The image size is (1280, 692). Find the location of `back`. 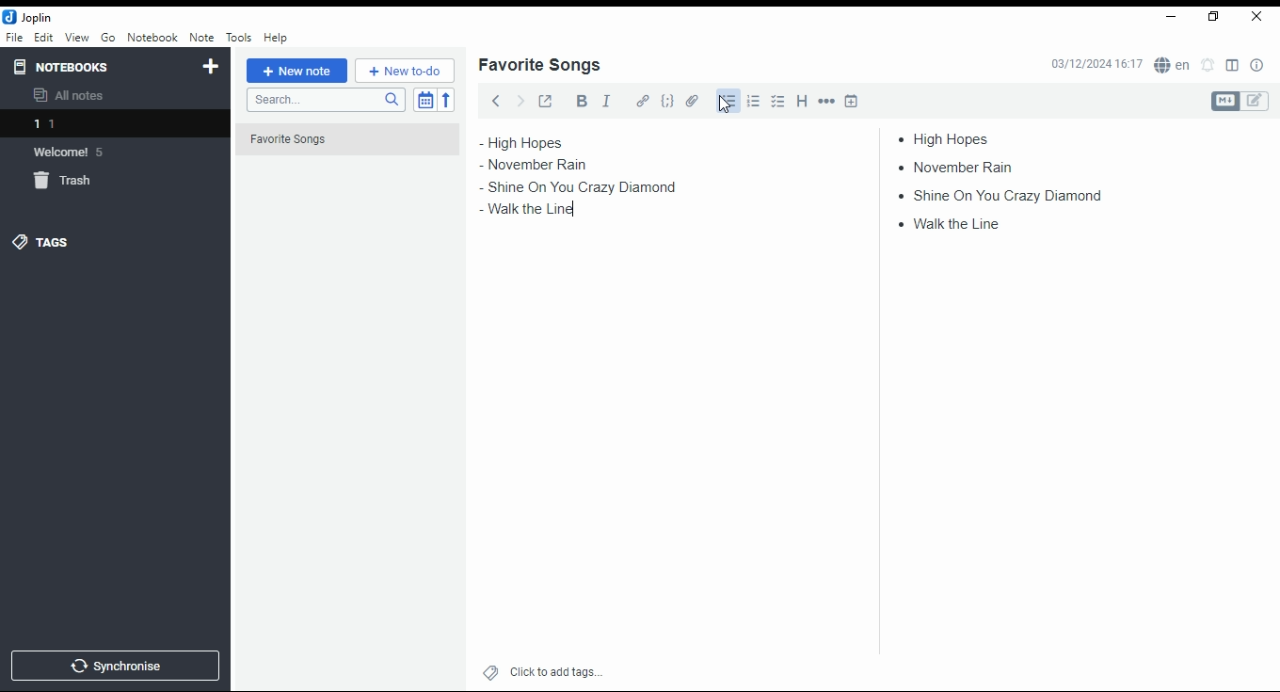

back is located at coordinates (496, 100).